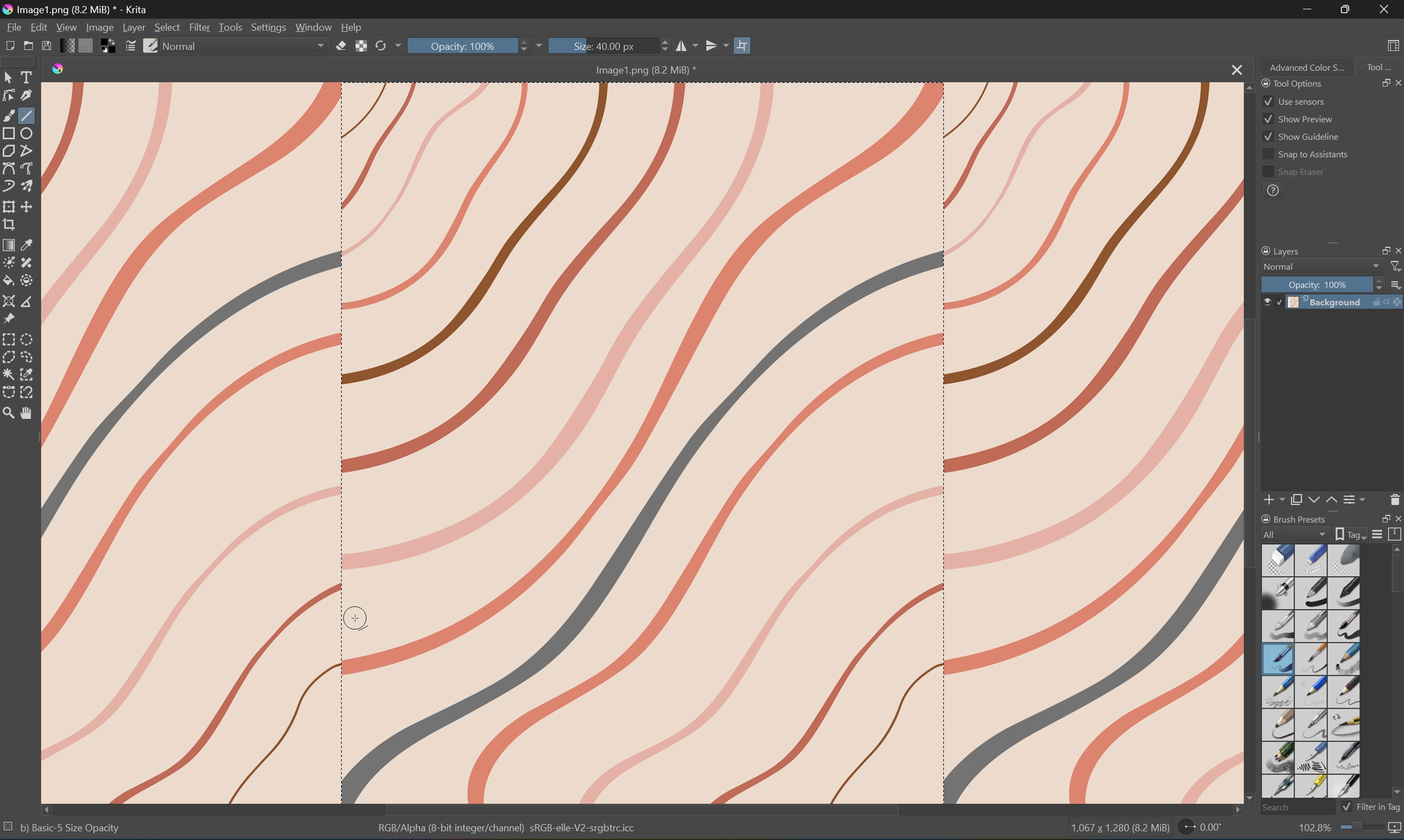 This screenshot has height=840, width=1404. Describe the element at coordinates (48, 47) in the screenshot. I see `Save` at that location.